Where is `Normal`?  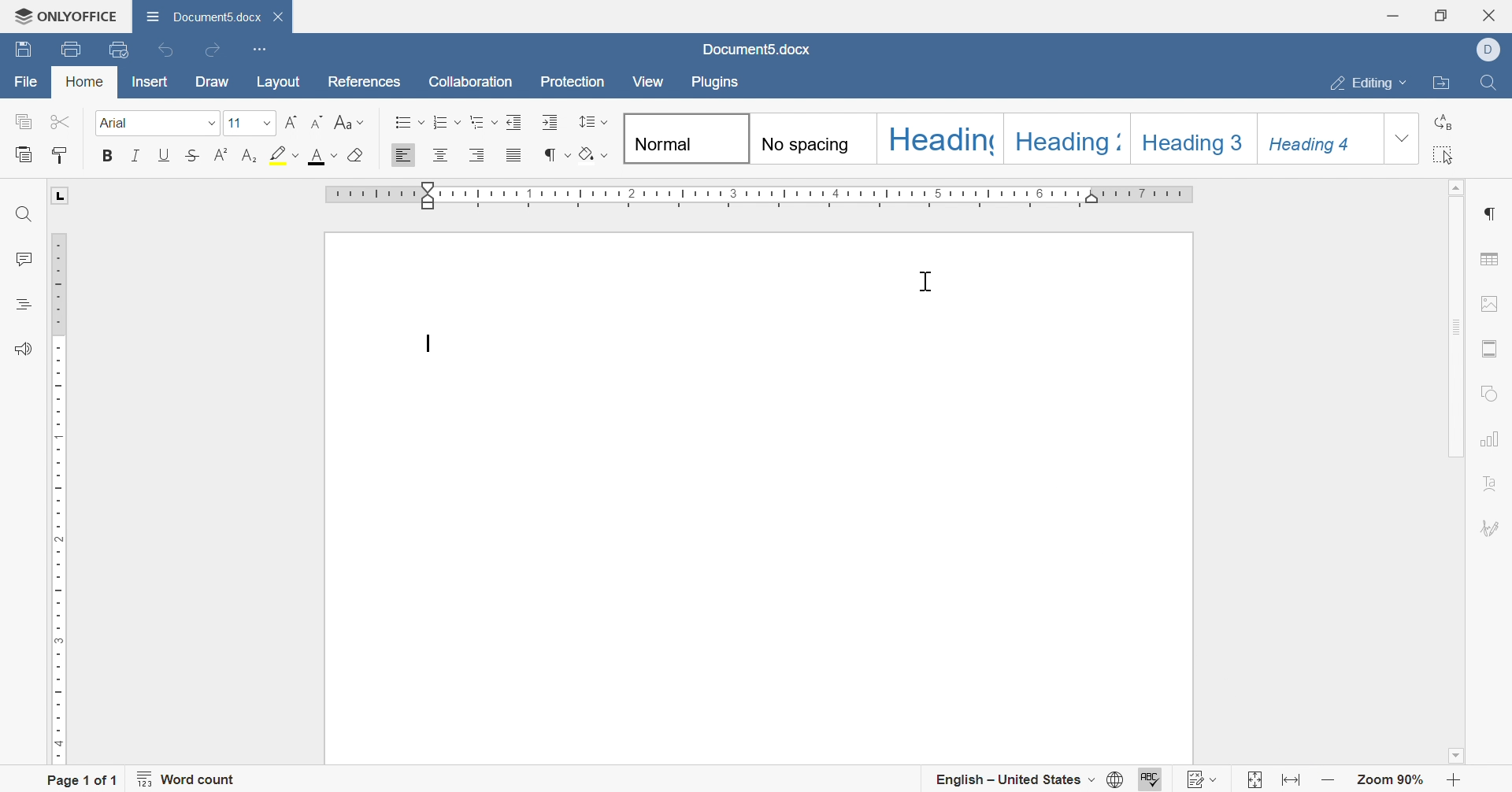 Normal is located at coordinates (683, 138).